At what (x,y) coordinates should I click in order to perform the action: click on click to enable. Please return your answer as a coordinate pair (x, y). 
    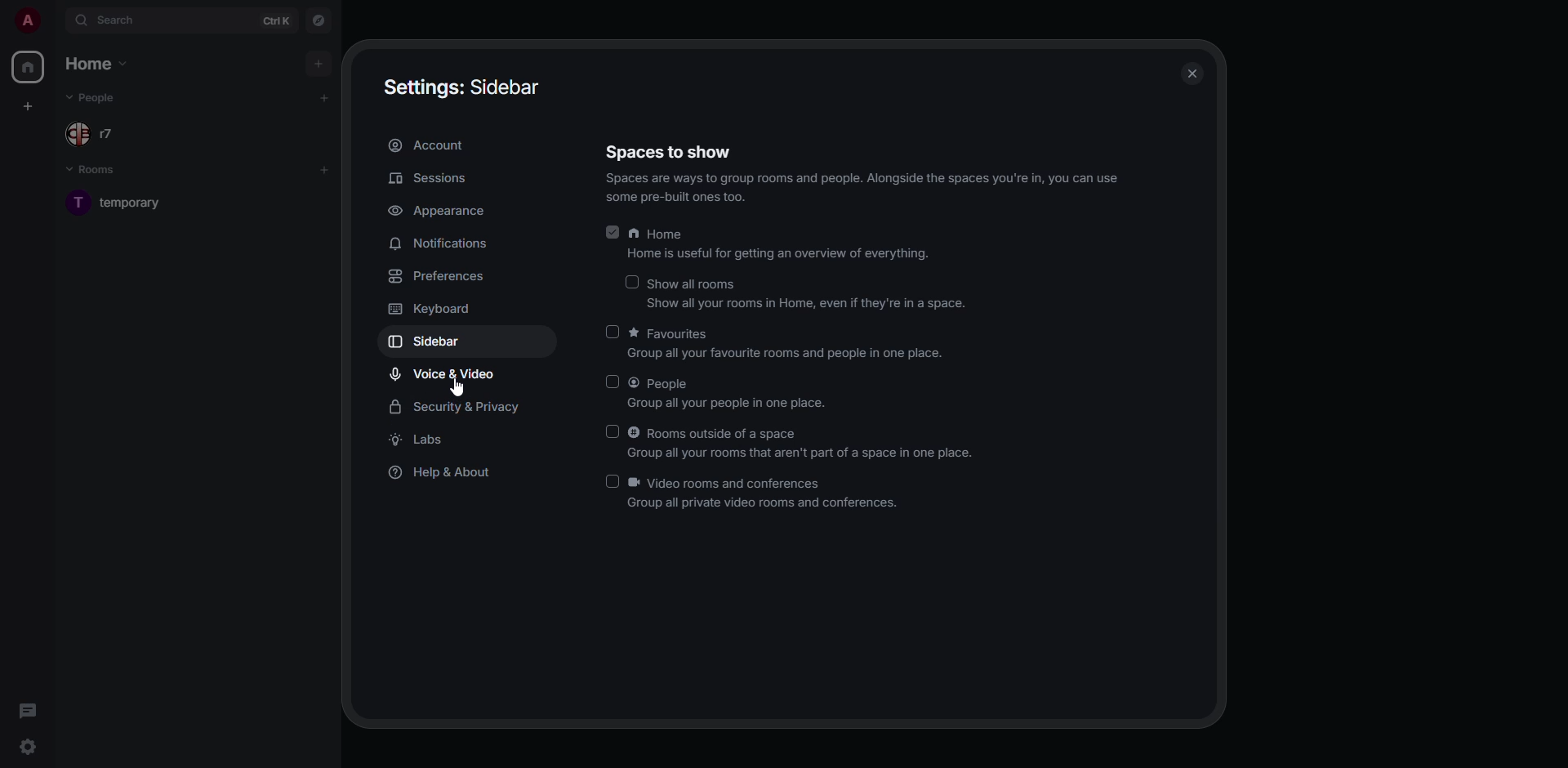
    Looking at the image, I should click on (612, 332).